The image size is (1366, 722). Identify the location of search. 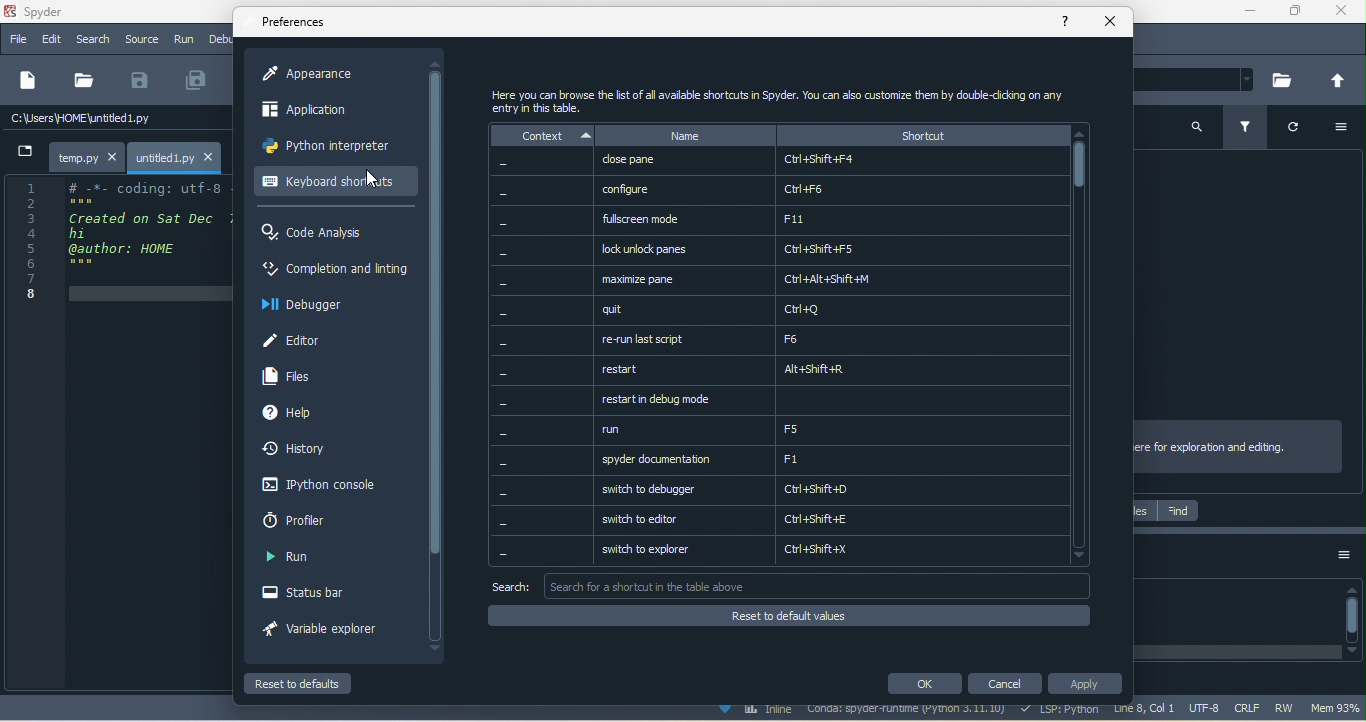
(798, 584).